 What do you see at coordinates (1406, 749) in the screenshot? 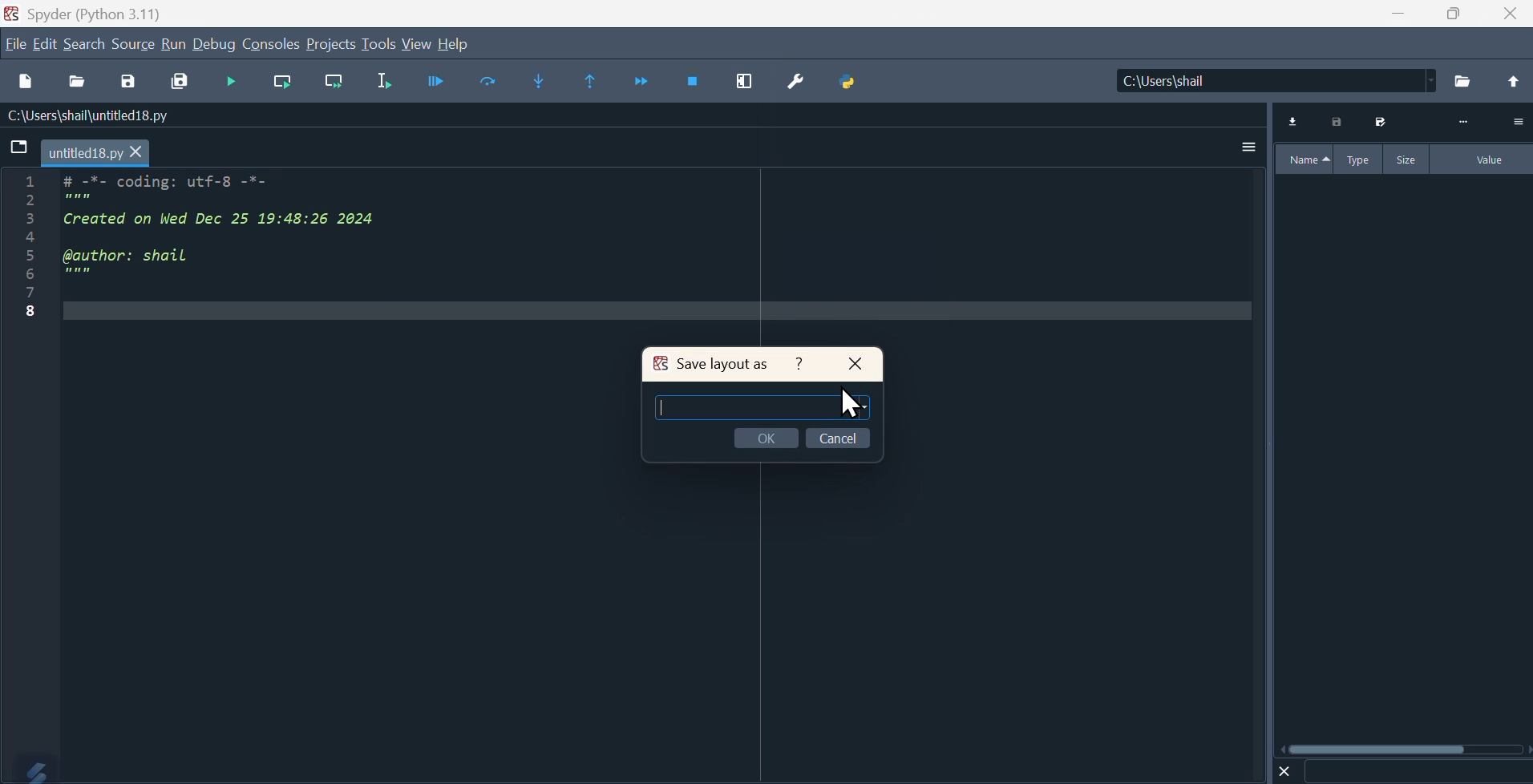
I see `Horizontal scroll bar` at bounding box center [1406, 749].